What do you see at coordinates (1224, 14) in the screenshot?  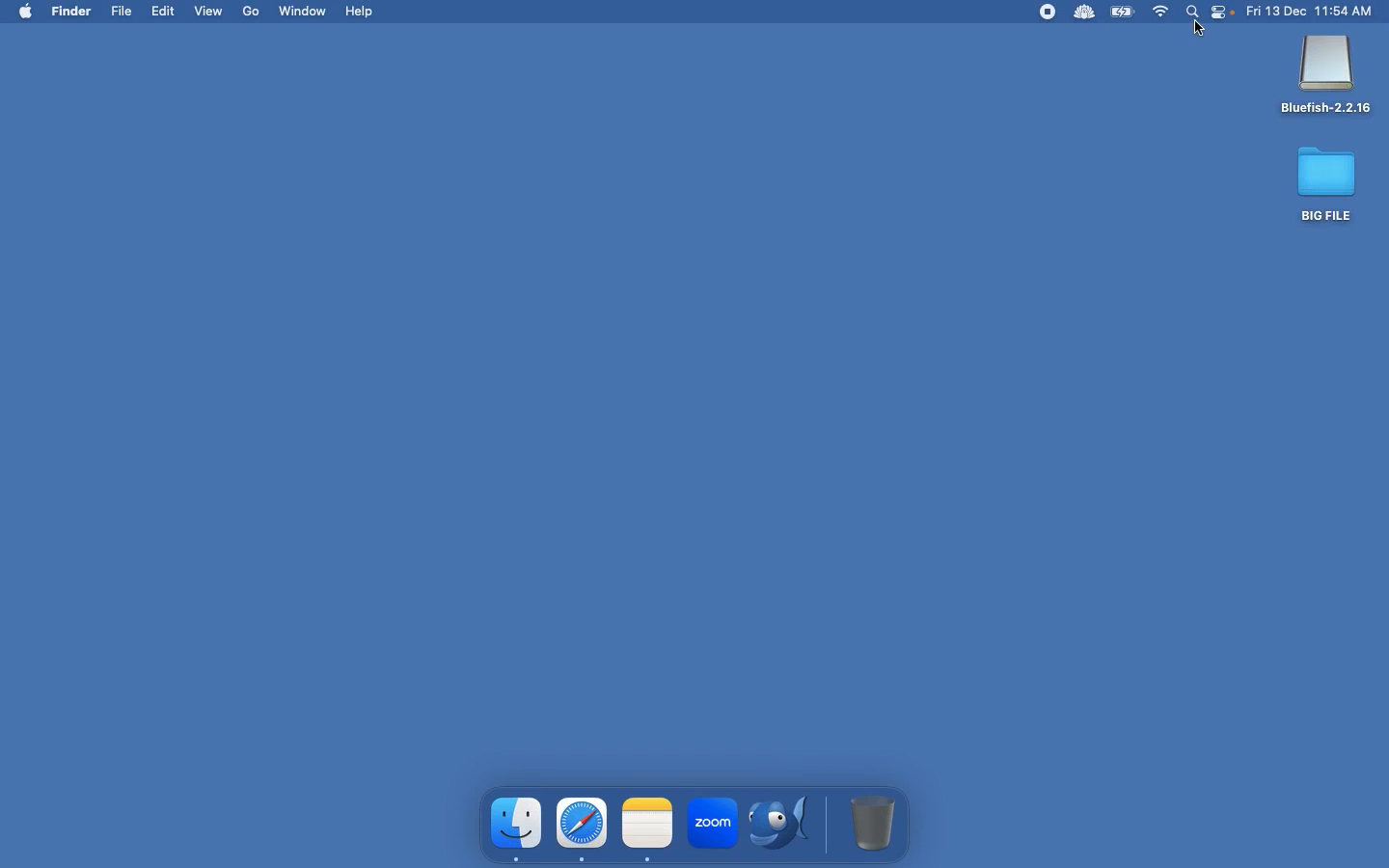 I see `Notification` at bounding box center [1224, 14].